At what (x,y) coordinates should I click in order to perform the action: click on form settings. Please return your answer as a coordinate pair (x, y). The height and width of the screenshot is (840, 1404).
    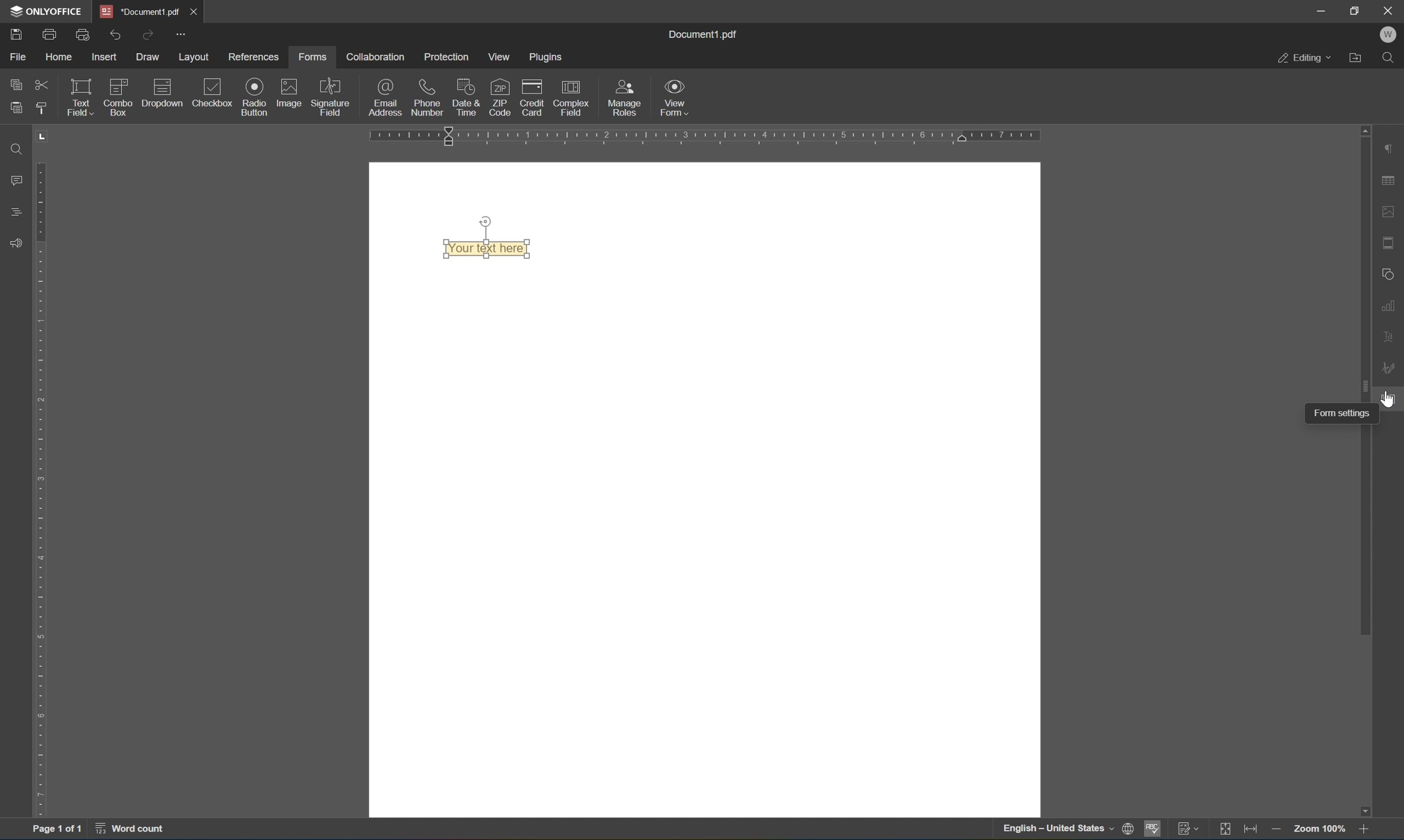
    Looking at the image, I should click on (1341, 412).